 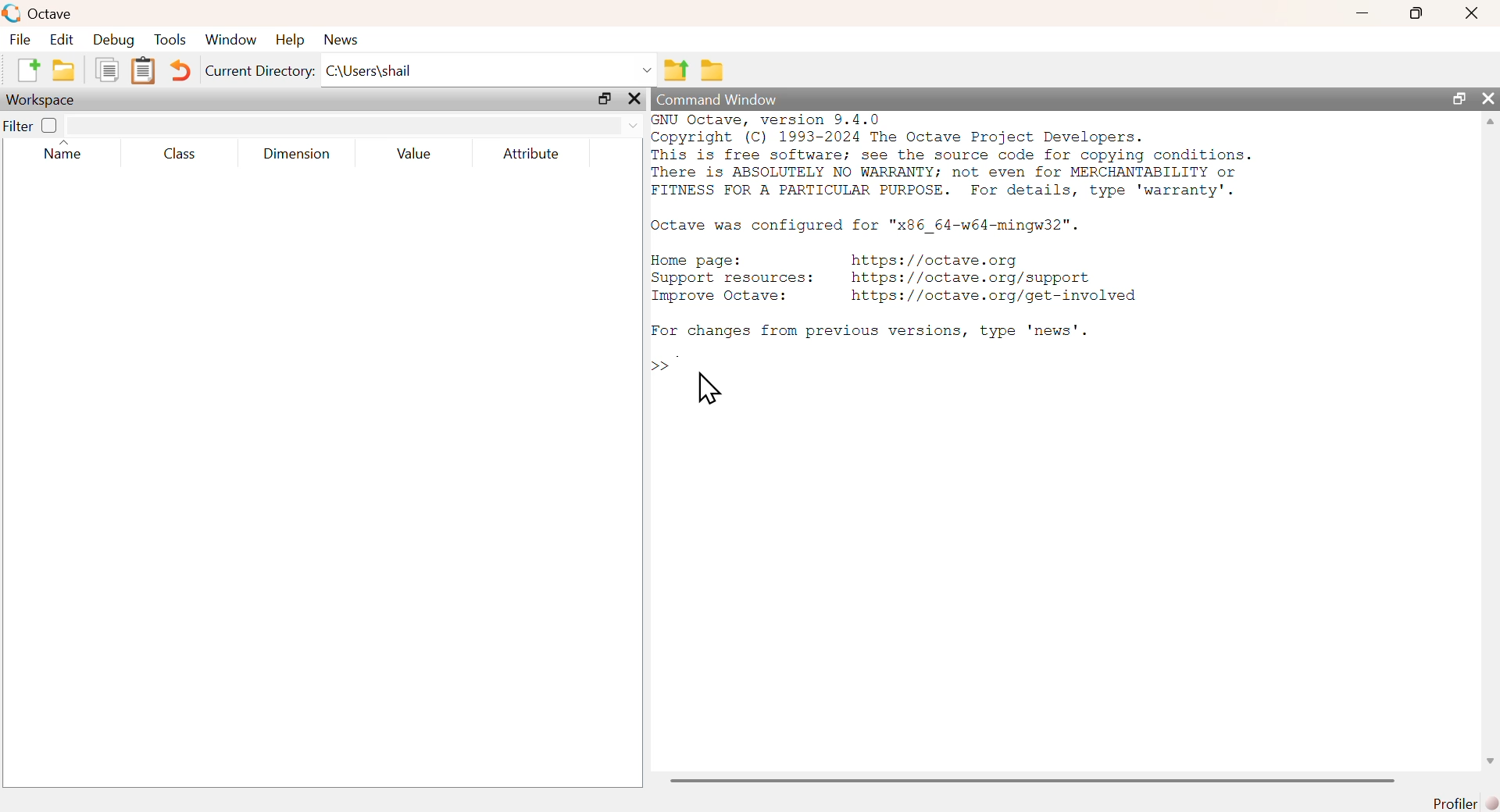 I want to click on current directory, so click(x=261, y=72).